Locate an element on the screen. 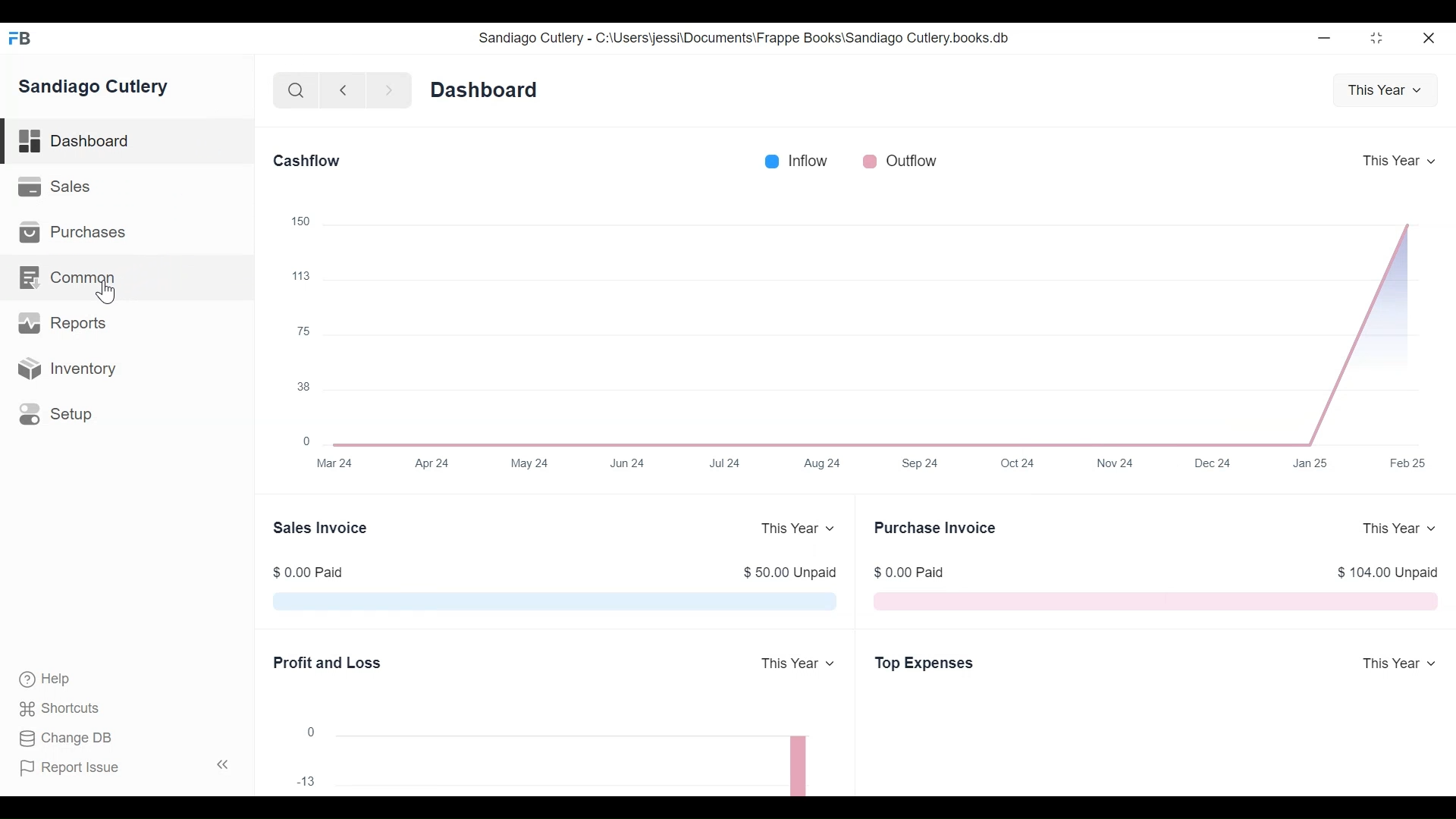 This screenshot has height=819, width=1456. Inflow is located at coordinates (808, 160).